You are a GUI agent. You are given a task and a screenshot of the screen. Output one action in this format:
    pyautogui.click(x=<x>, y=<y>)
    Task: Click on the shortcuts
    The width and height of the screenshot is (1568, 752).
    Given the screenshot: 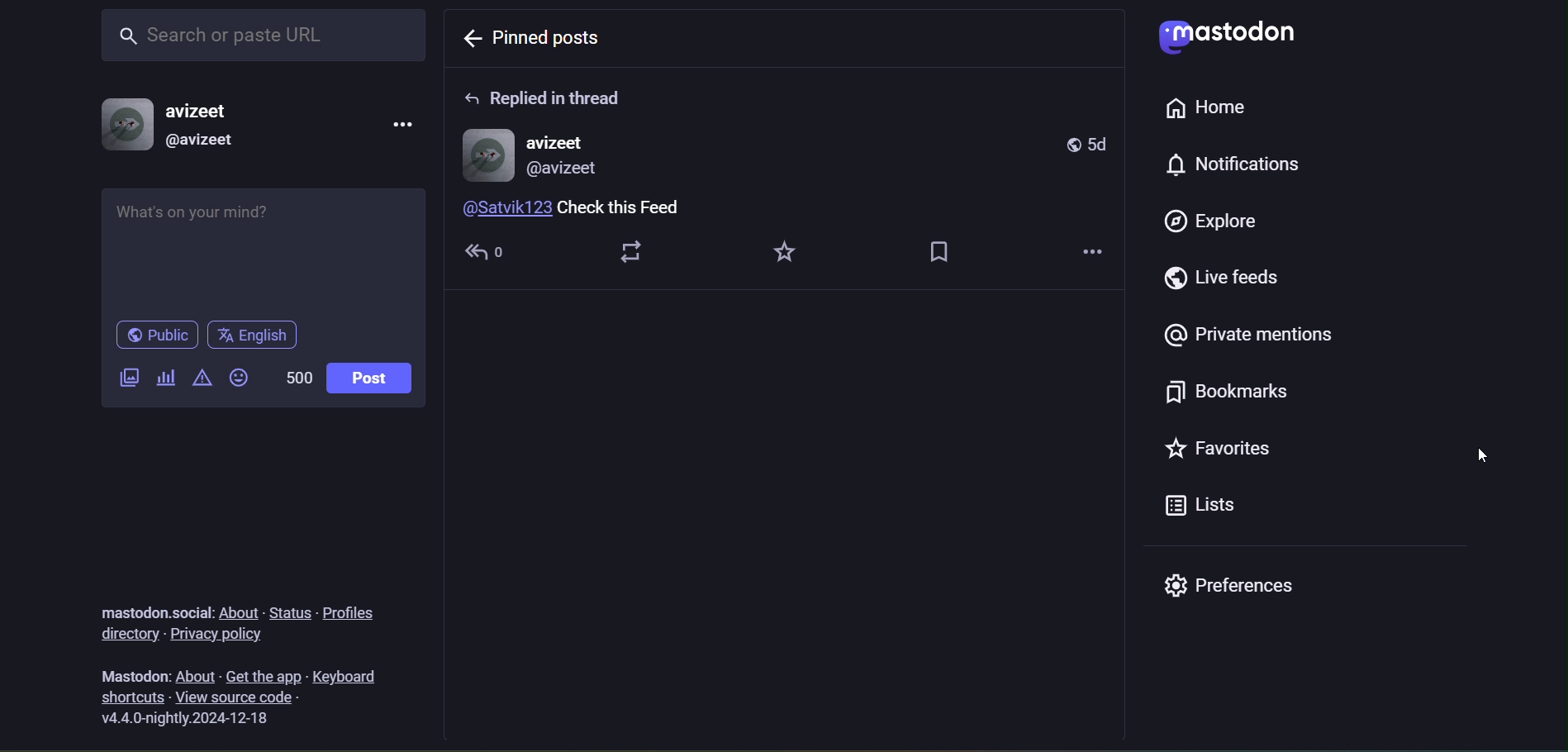 What is the action you would take?
    pyautogui.click(x=126, y=696)
    